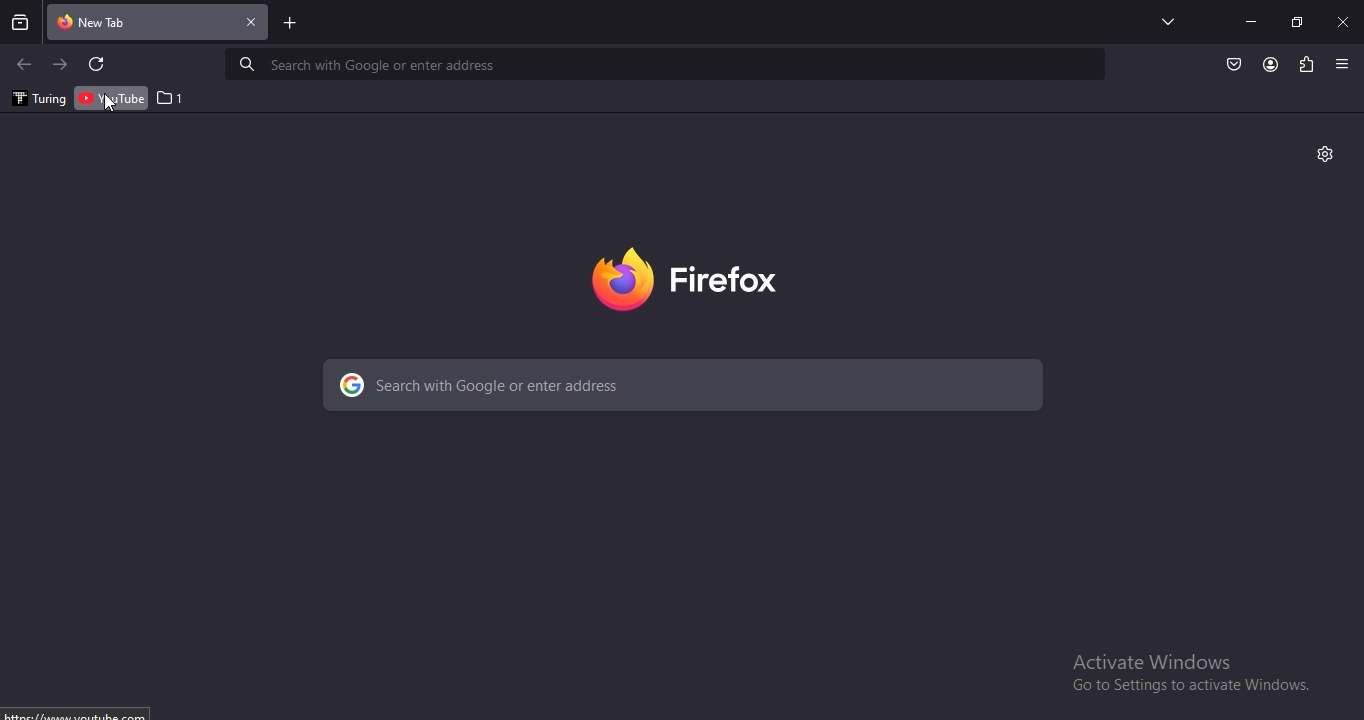 The width and height of the screenshot is (1364, 720). What do you see at coordinates (1269, 66) in the screenshot?
I see `account profile` at bounding box center [1269, 66].